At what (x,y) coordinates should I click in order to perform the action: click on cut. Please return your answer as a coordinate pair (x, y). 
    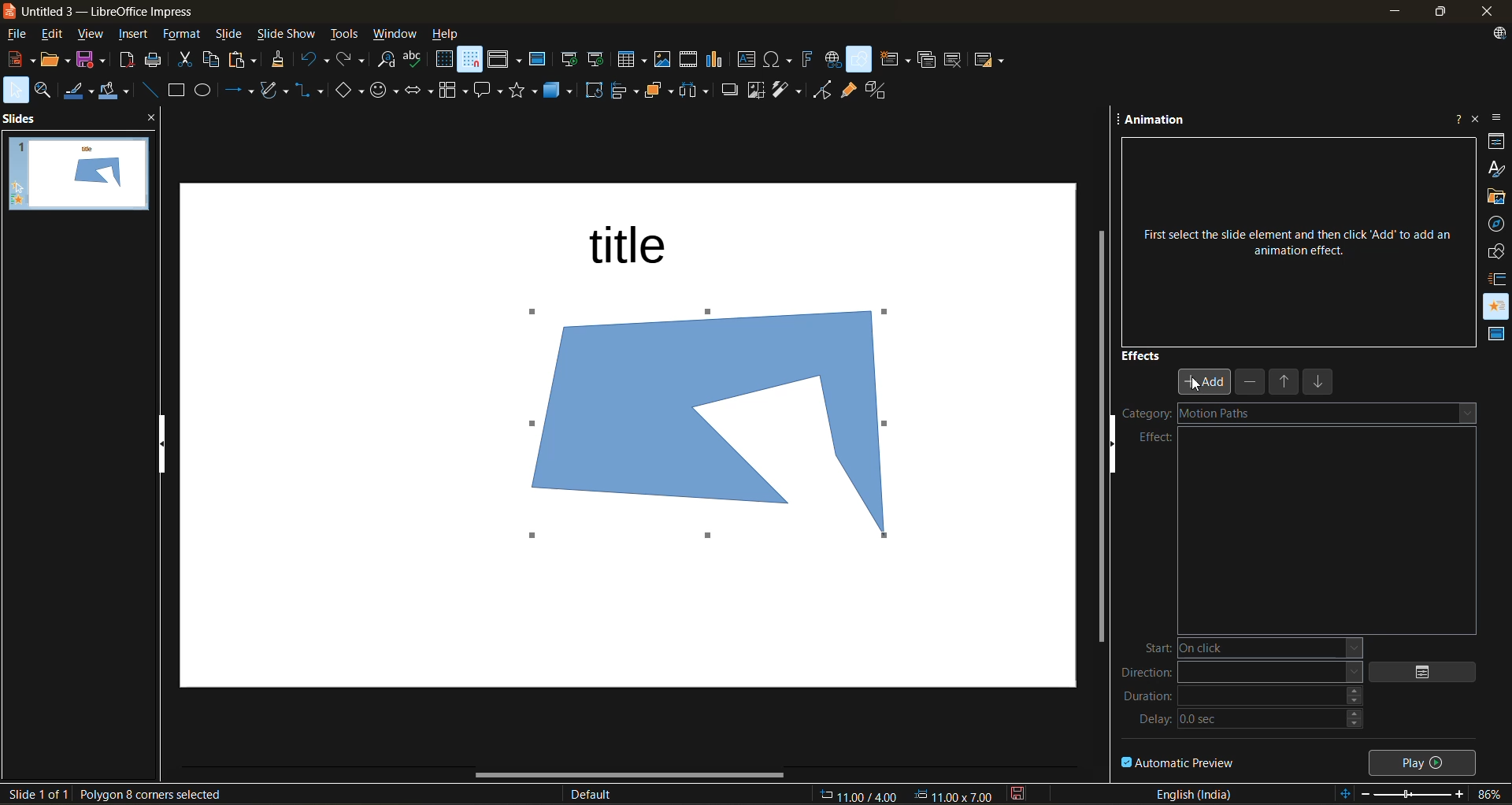
    Looking at the image, I should click on (187, 61).